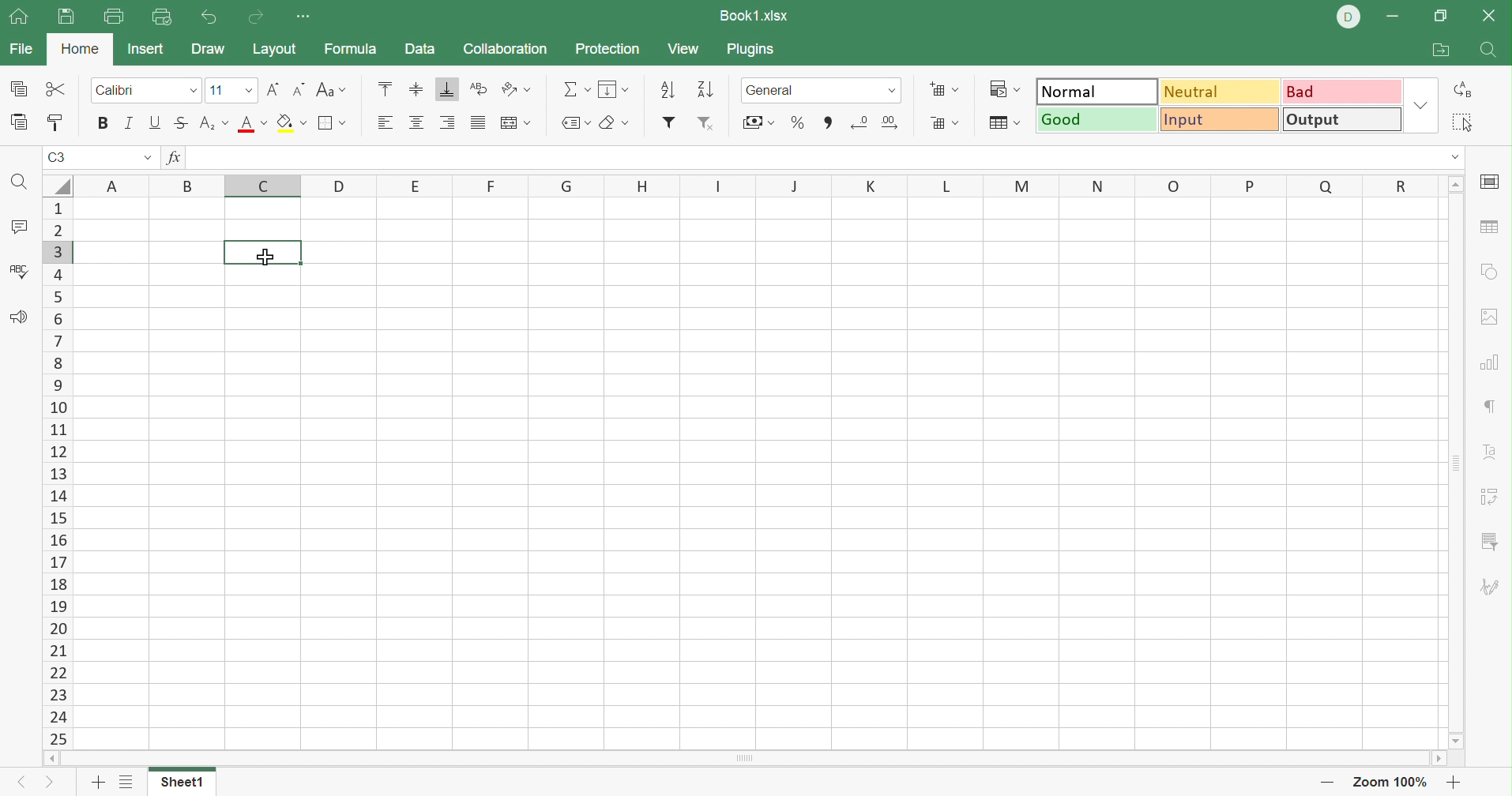 The height and width of the screenshot is (796, 1512). What do you see at coordinates (1488, 272) in the screenshot?
I see `Shape settings` at bounding box center [1488, 272].